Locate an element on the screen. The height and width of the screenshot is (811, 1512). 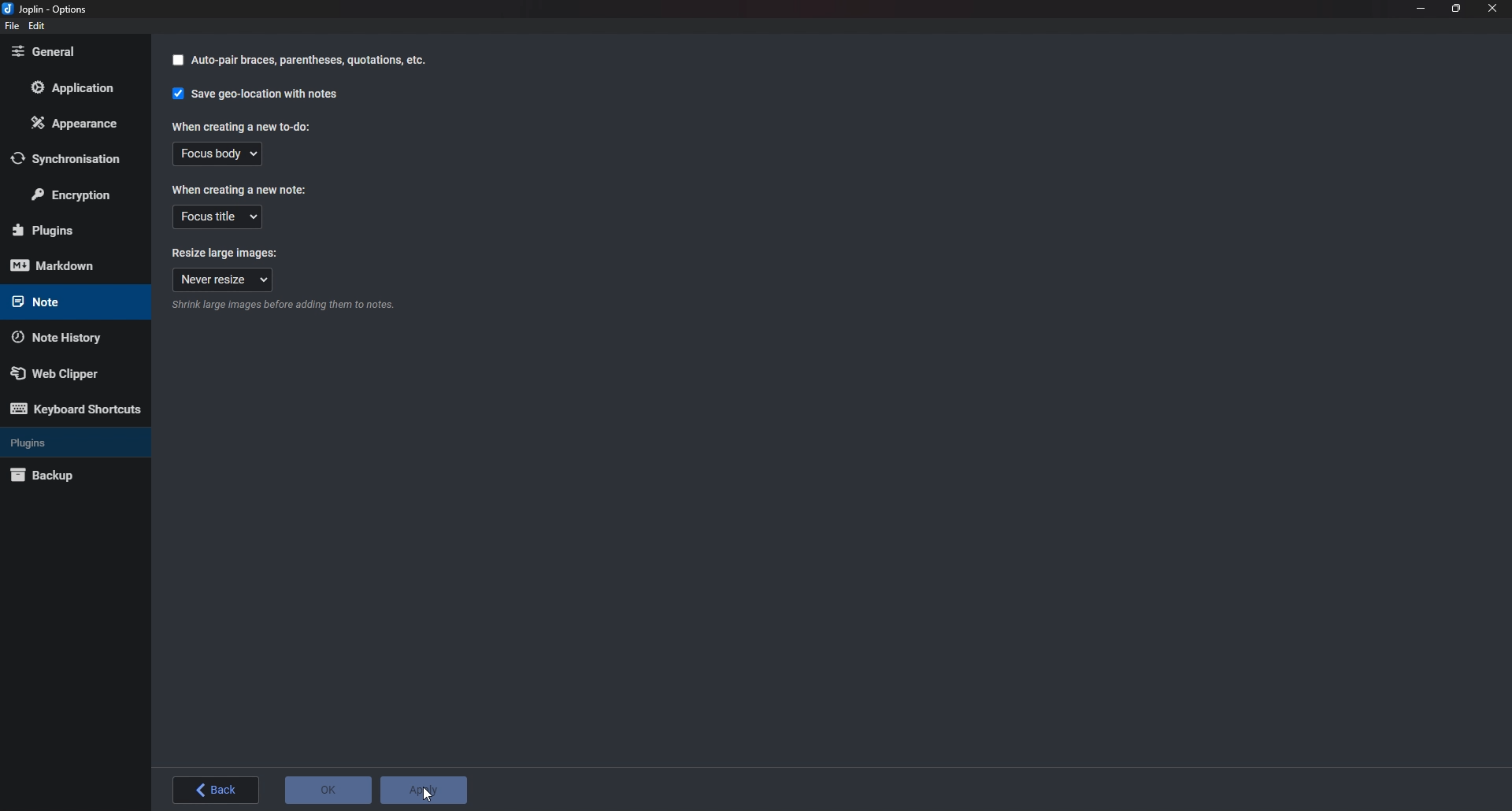
When creating a new note is located at coordinates (239, 189).